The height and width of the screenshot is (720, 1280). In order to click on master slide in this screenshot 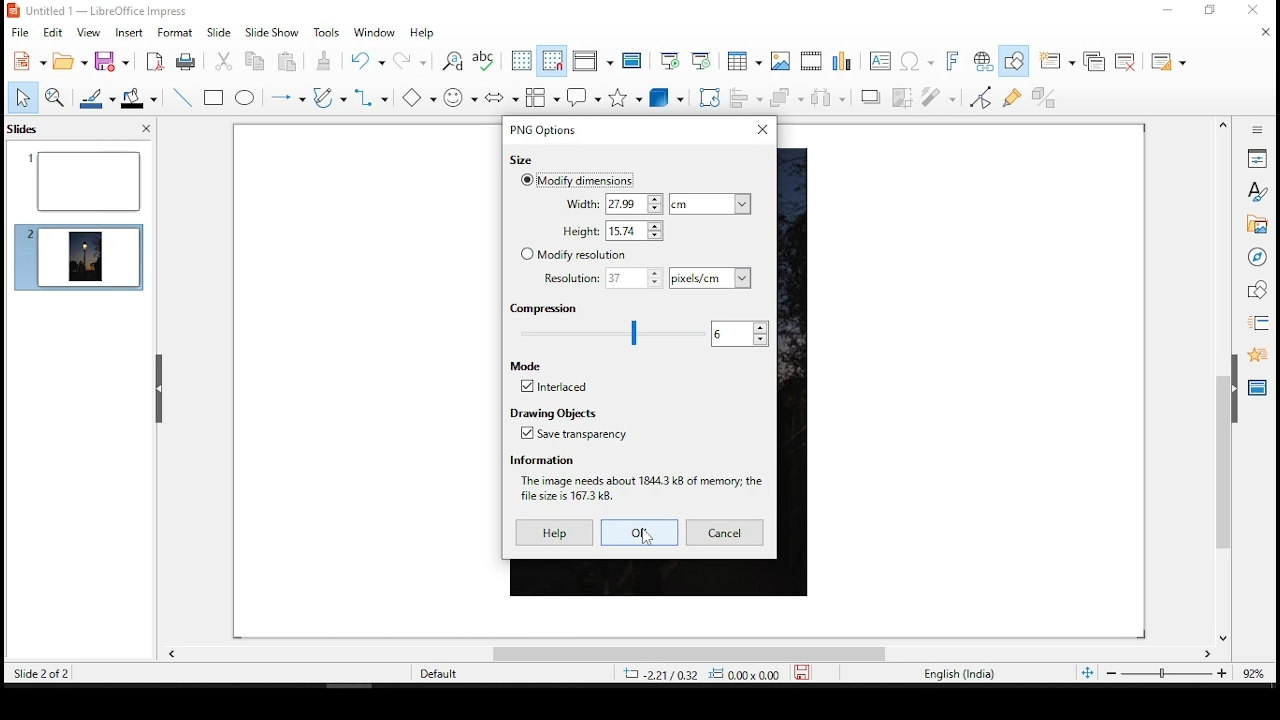, I will do `click(635, 60)`.